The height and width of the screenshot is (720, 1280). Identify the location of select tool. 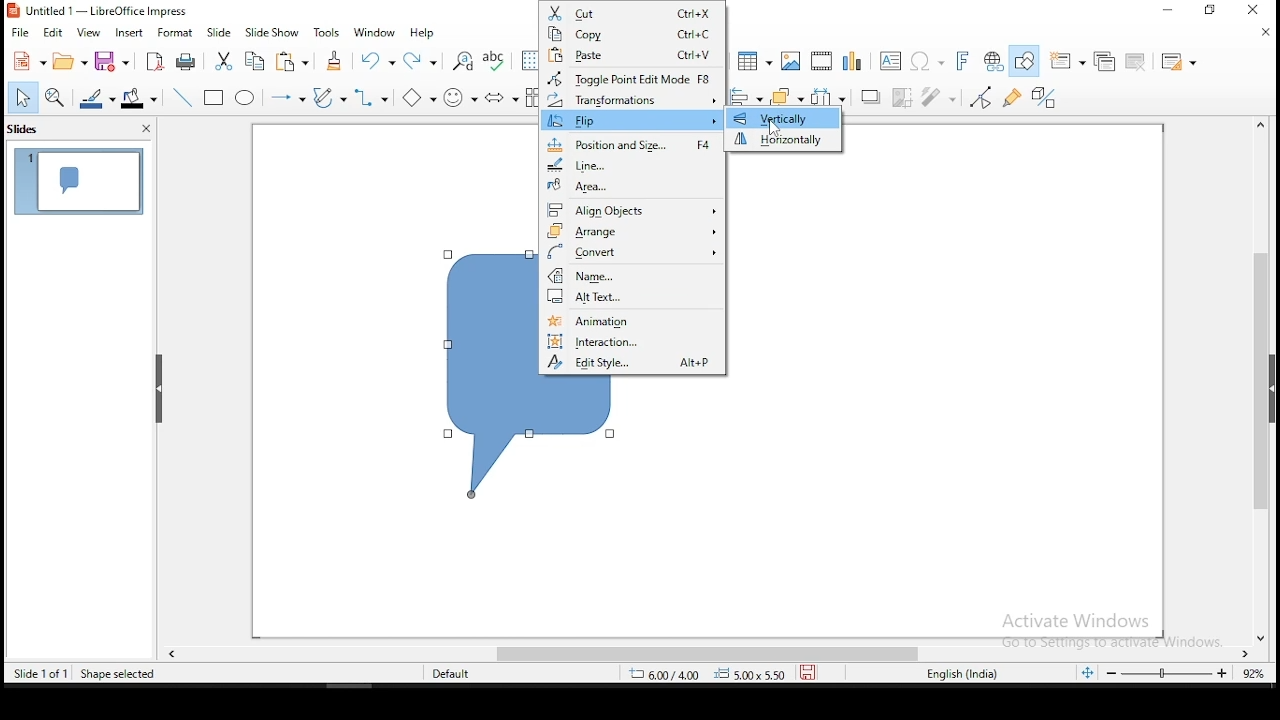
(24, 97).